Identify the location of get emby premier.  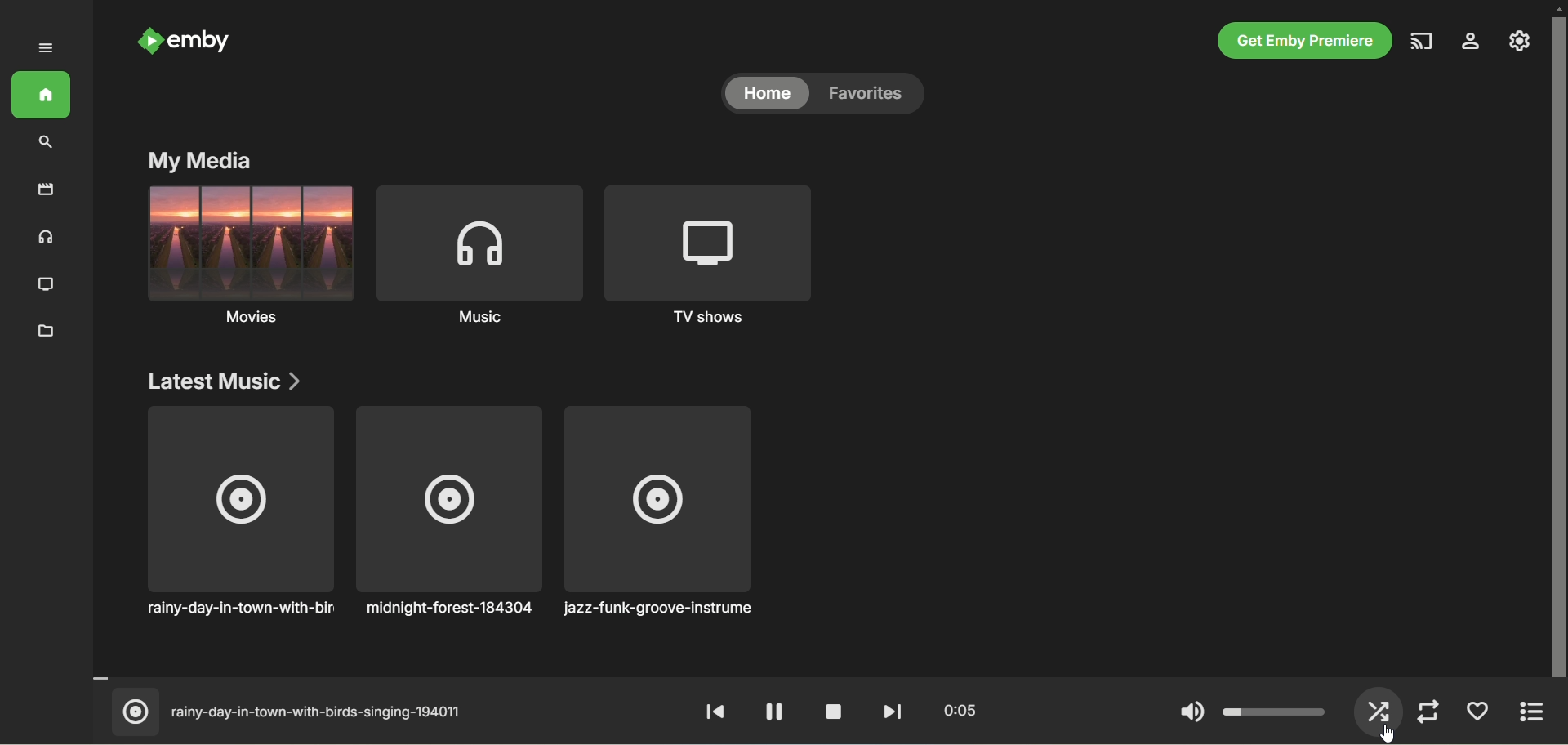
(1306, 42).